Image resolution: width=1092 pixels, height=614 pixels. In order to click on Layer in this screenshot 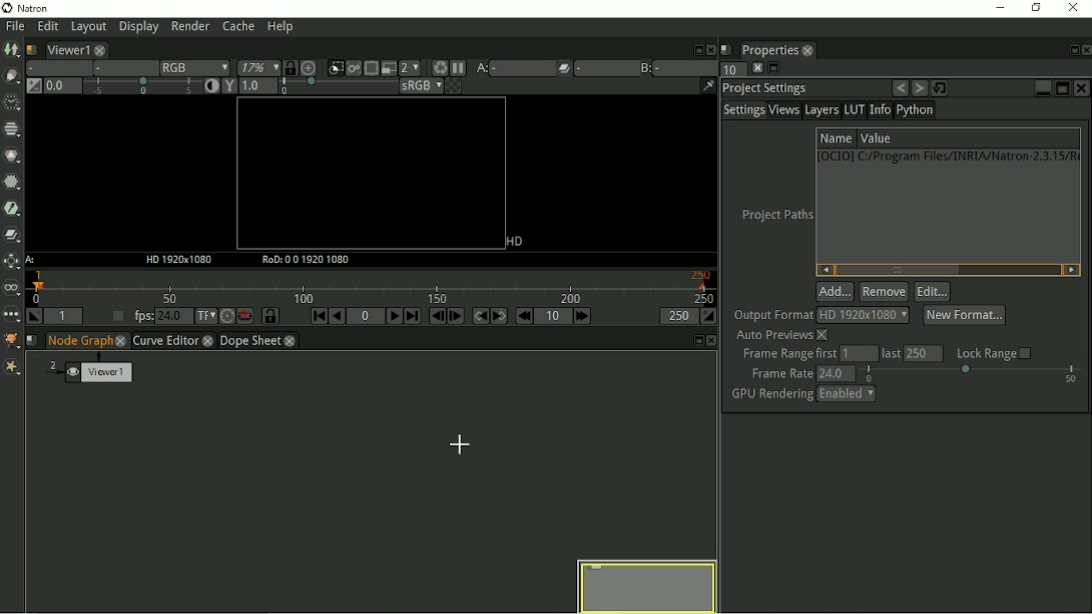, I will do `click(55, 68)`.